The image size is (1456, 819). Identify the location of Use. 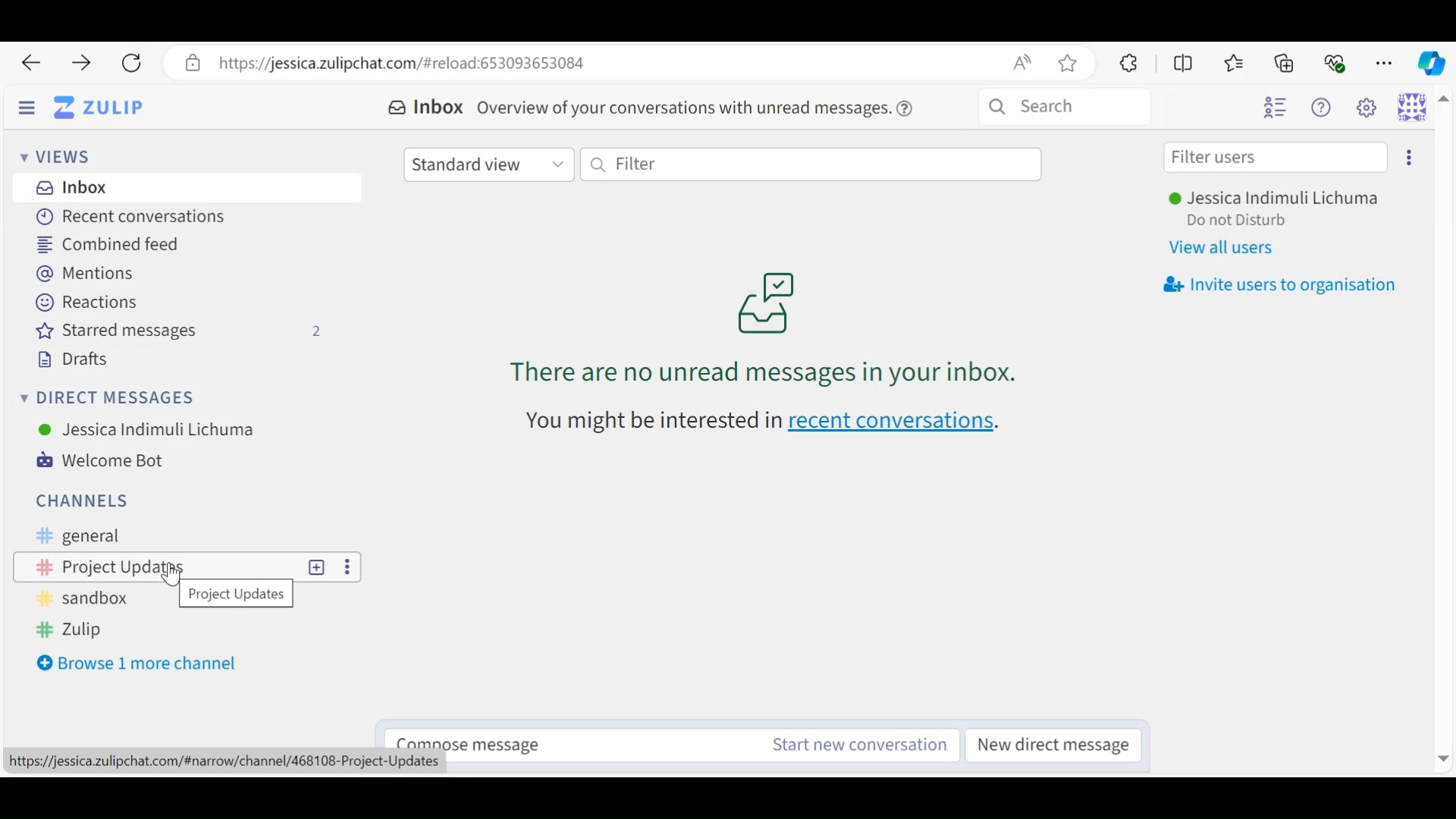
(147, 428).